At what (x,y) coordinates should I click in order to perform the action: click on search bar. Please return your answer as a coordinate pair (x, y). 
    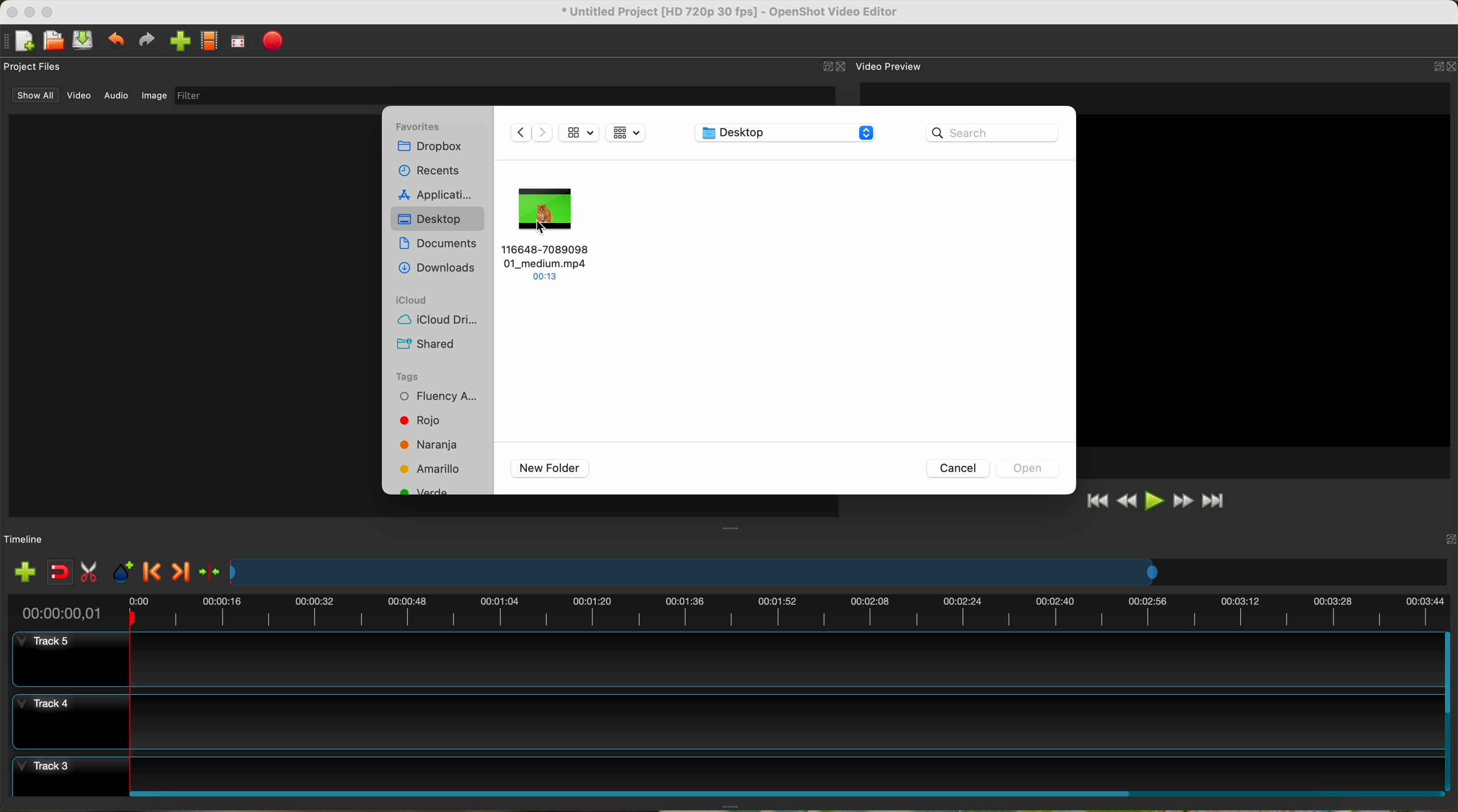
    Looking at the image, I should click on (996, 132).